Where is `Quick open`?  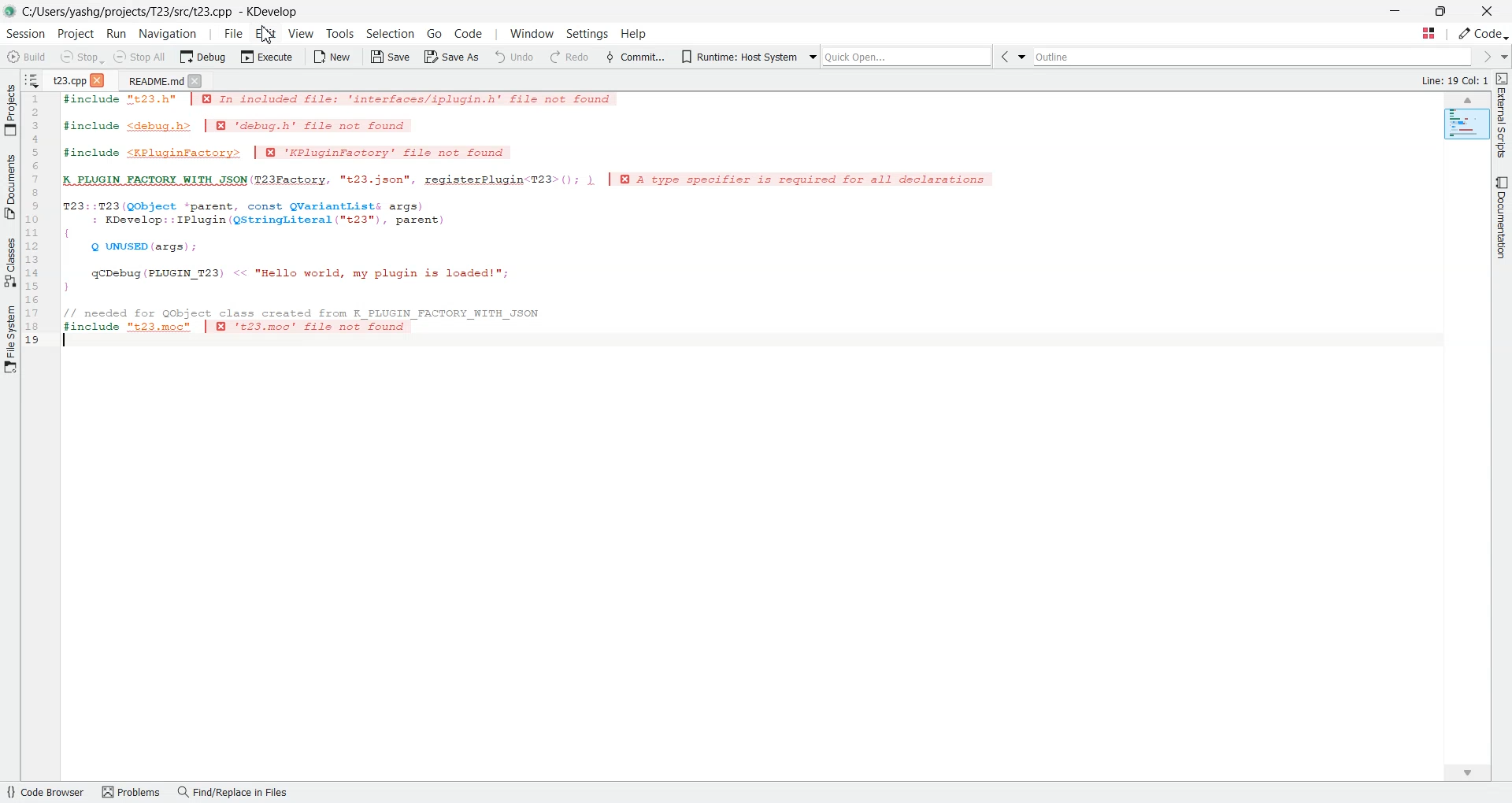
Quick open is located at coordinates (909, 57).